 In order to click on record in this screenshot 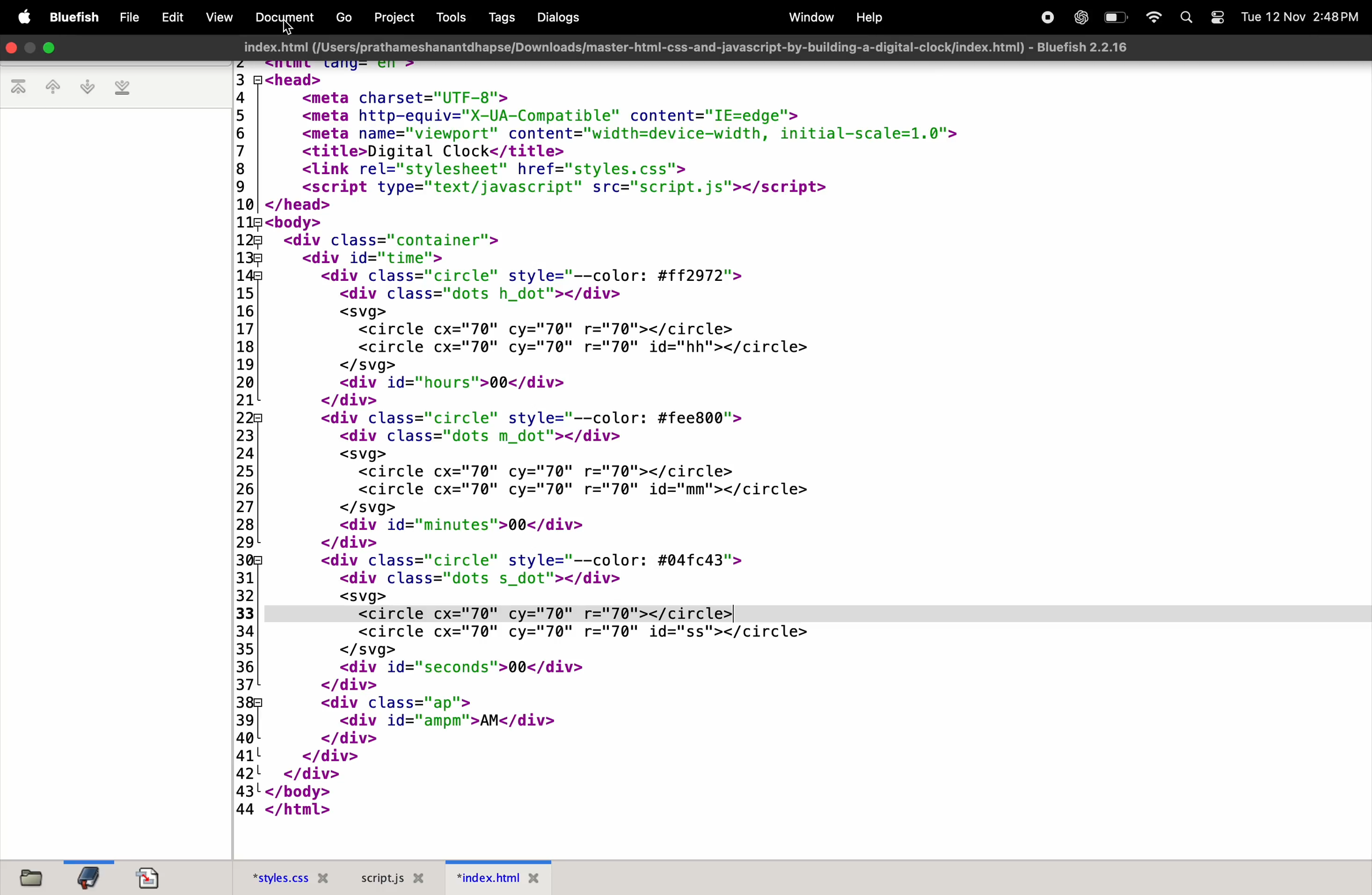, I will do `click(1044, 17)`.